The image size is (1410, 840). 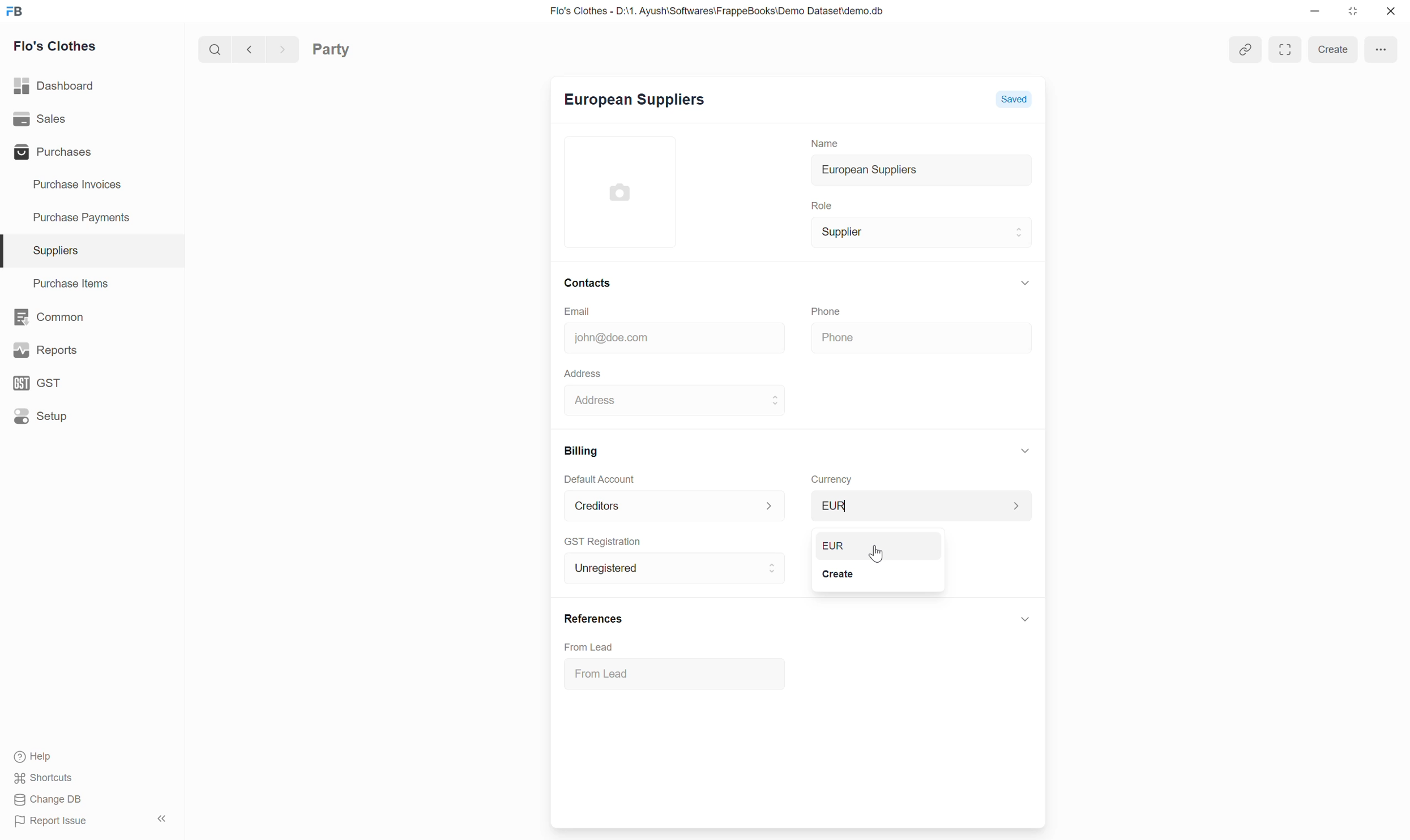 I want to click on European Suppliers, so click(x=630, y=102).